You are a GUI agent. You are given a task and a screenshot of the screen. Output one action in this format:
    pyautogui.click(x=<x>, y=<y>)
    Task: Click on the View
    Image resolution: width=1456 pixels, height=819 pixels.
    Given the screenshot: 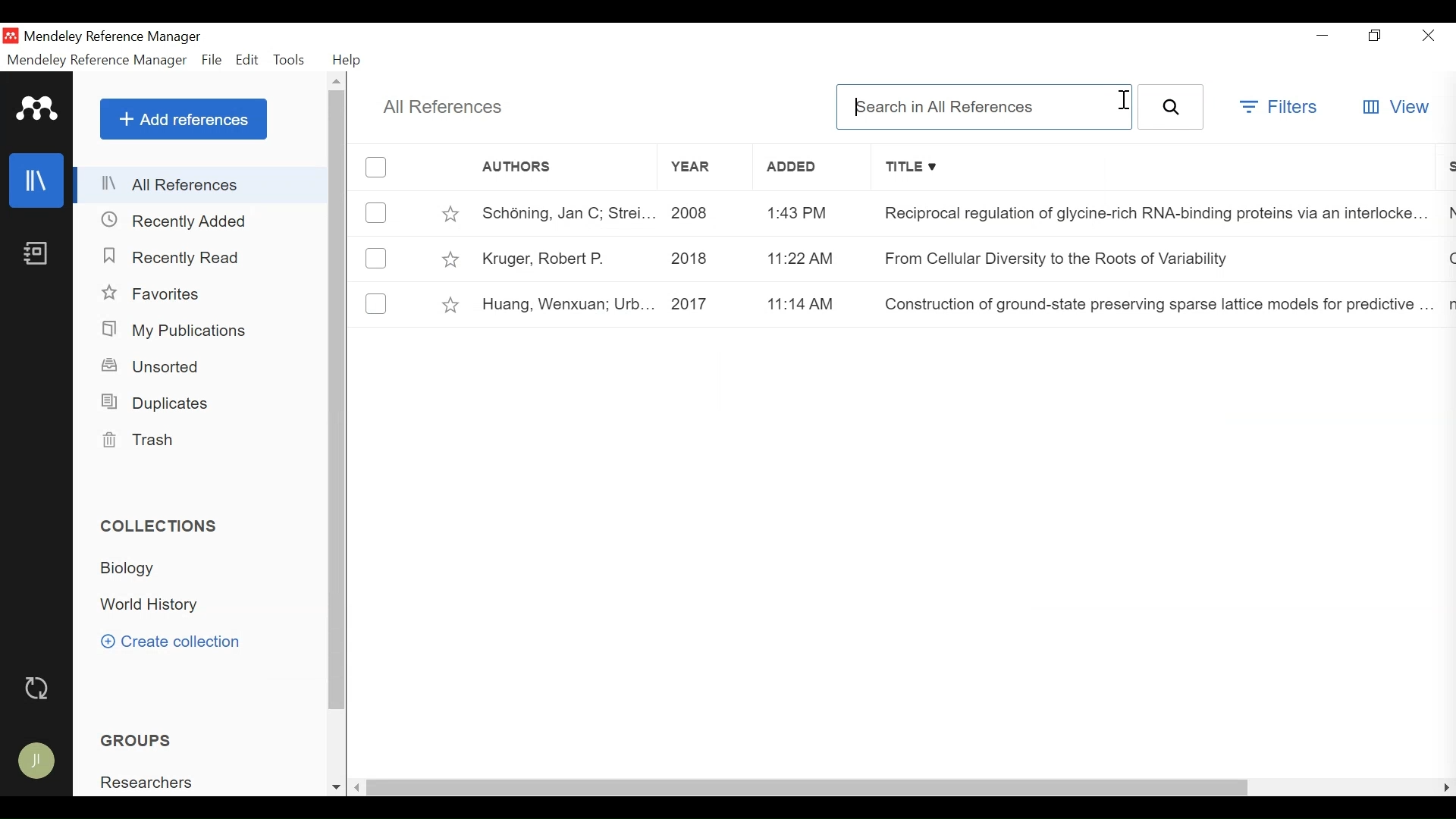 What is the action you would take?
    pyautogui.click(x=1395, y=108)
    